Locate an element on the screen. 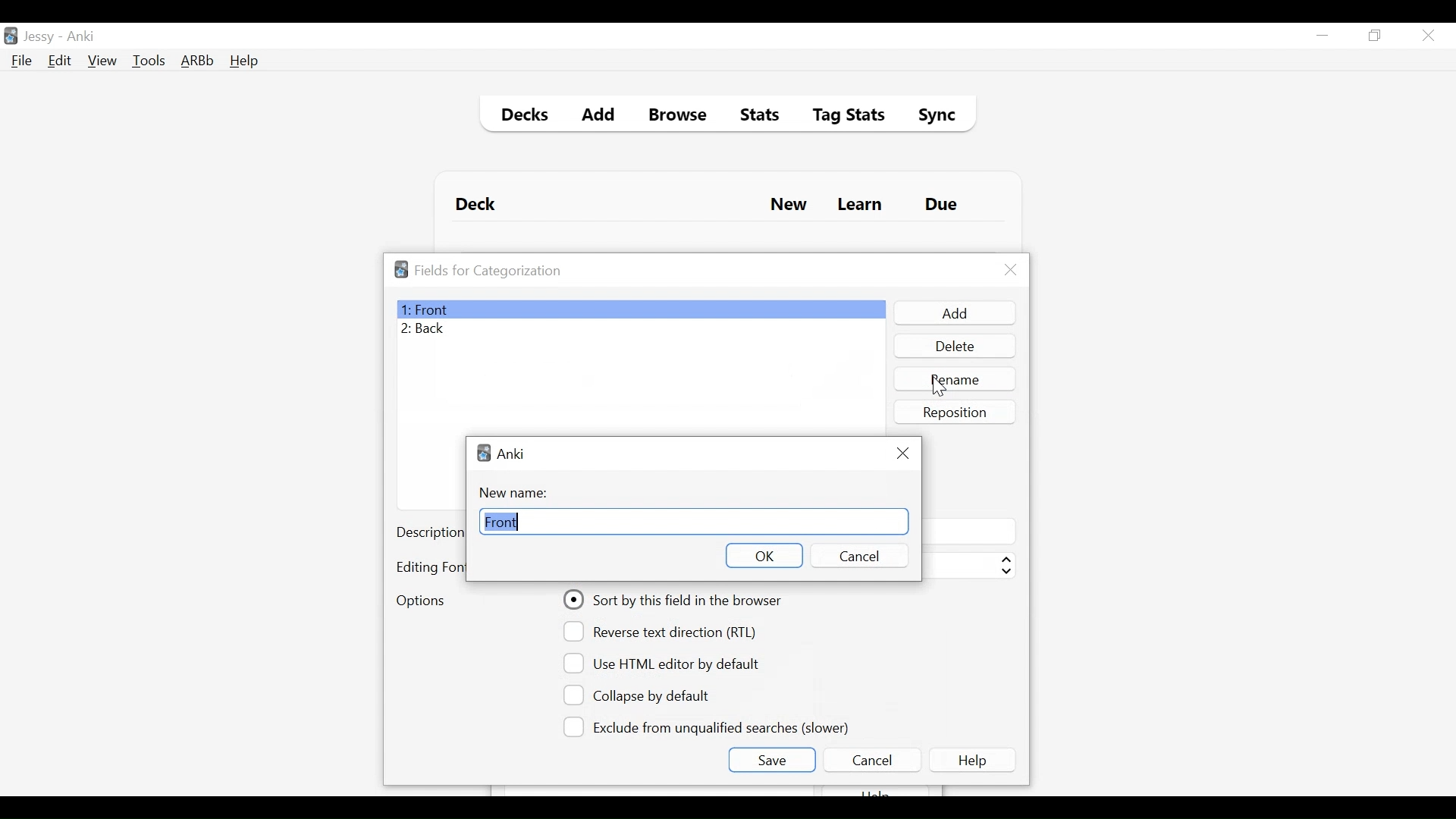 This screenshot has height=819, width=1456. (un)select Sort by this field in the browser is located at coordinates (675, 600).